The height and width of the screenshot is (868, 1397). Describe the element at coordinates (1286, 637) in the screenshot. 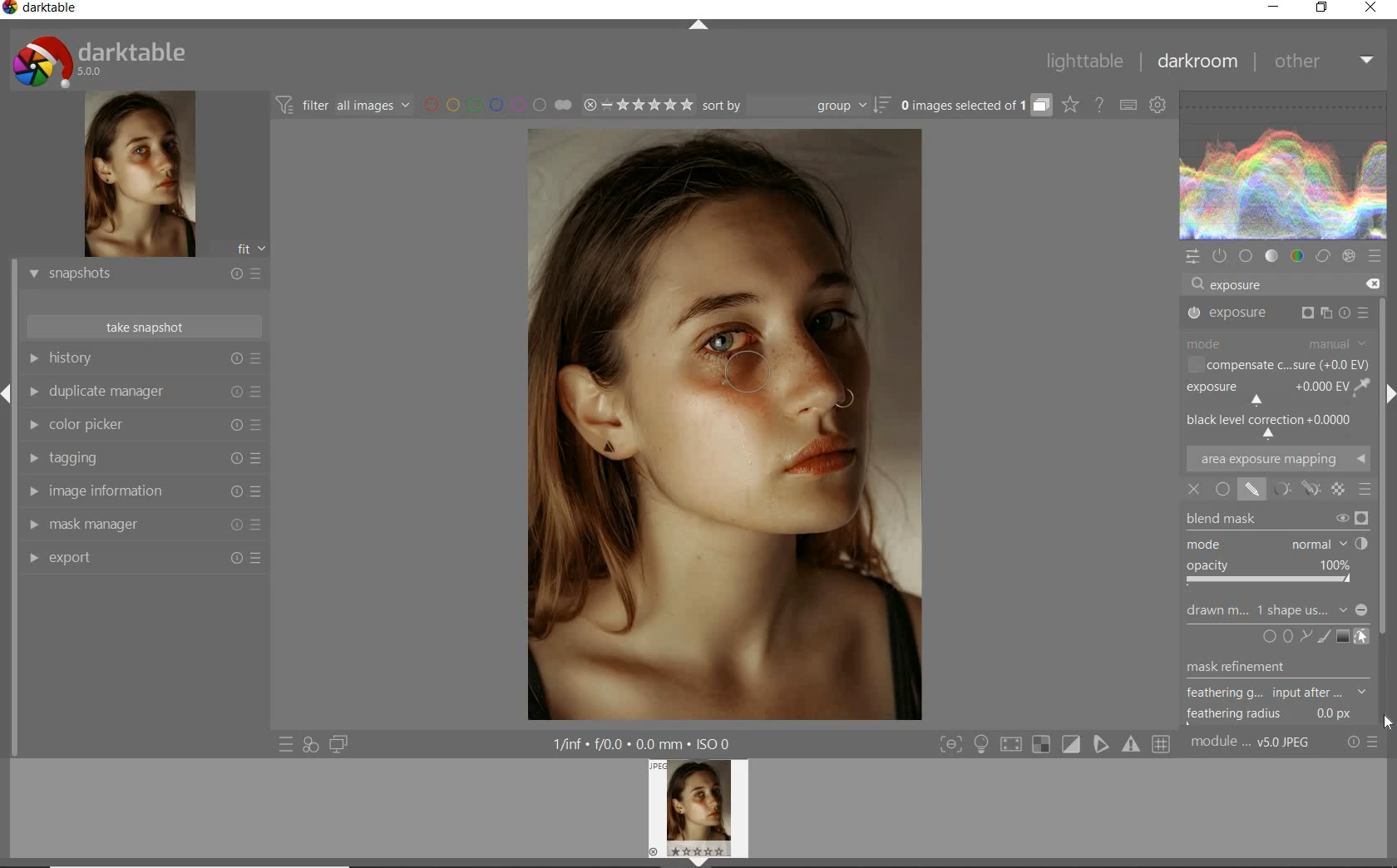

I see `ADD CIRCLE, ELLIPSE, OR PATH` at that location.